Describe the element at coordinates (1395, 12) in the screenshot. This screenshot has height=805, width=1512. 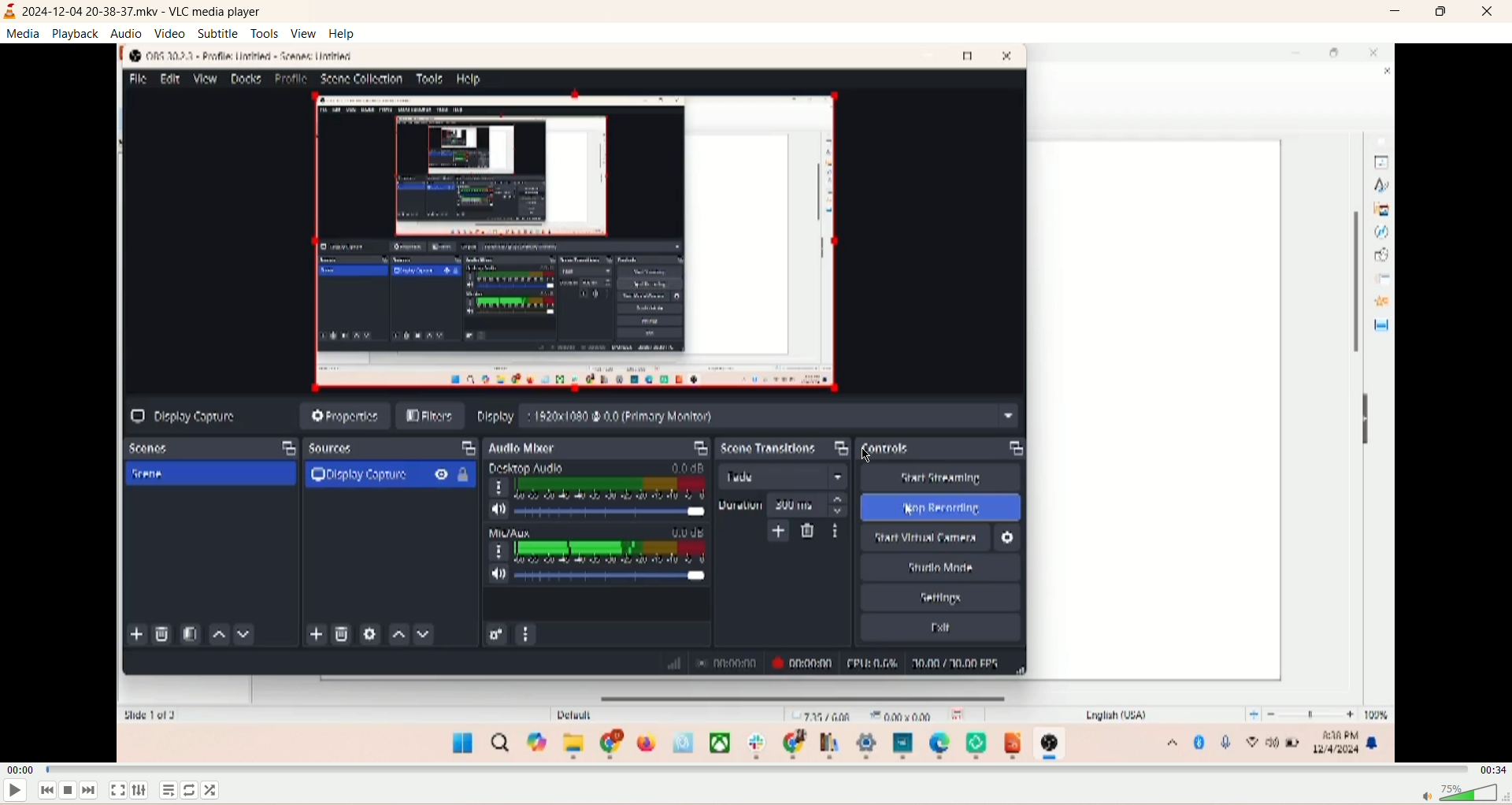
I see `minimize` at that location.